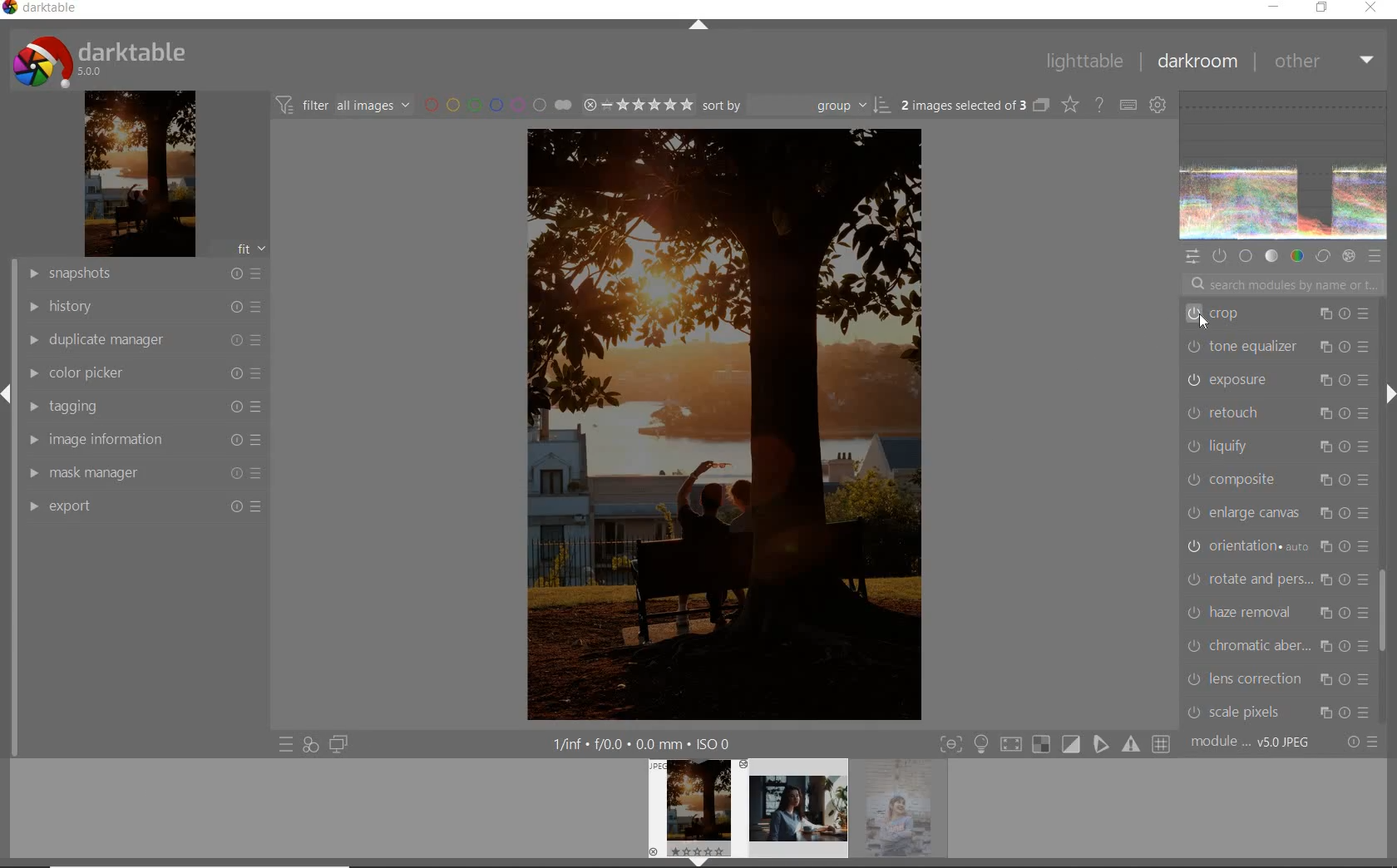 This screenshot has width=1397, height=868. Describe the element at coordinates (1279, 446) in the screenshot. I see `liquify` at that location.